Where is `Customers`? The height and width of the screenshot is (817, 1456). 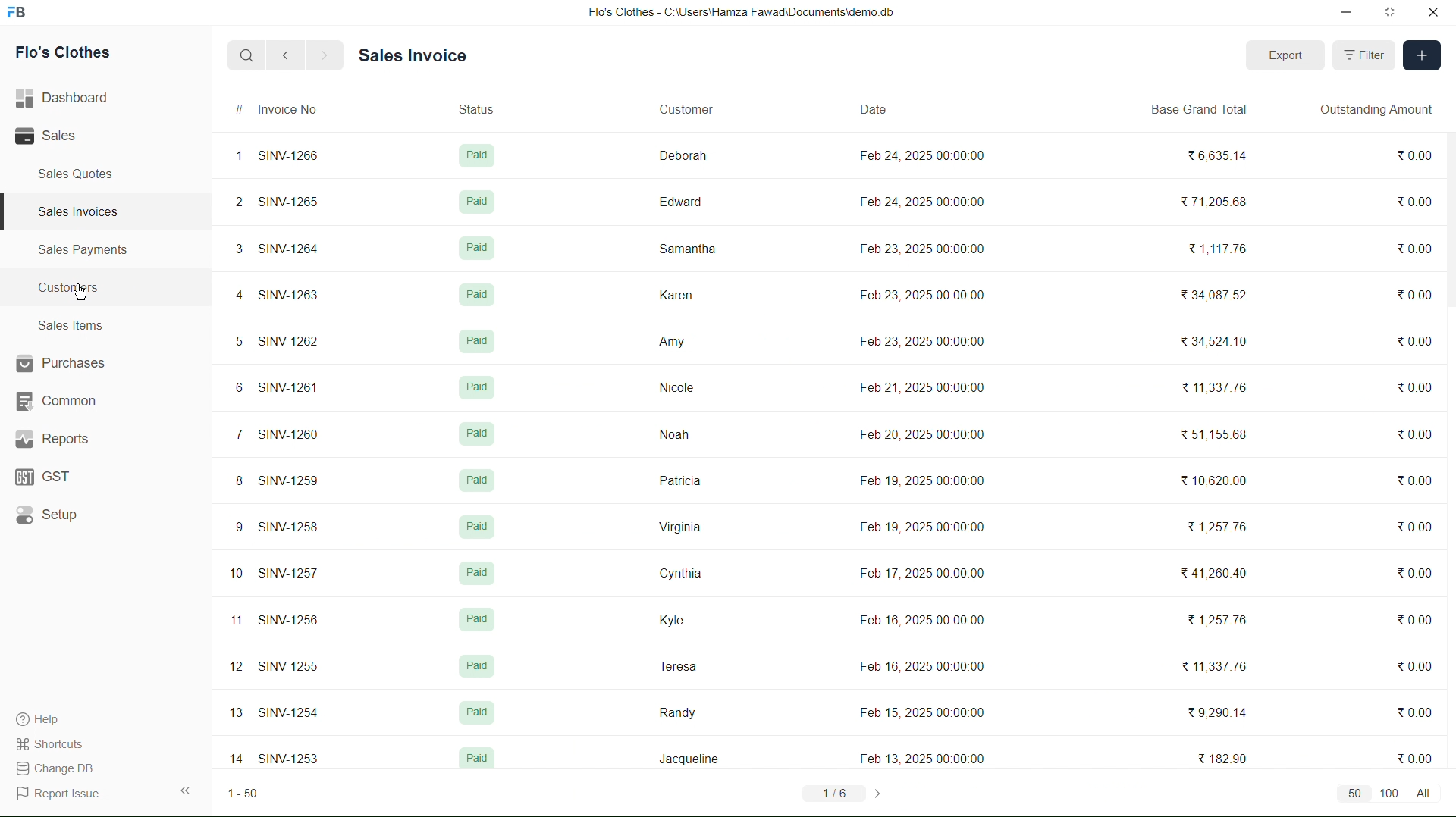
Customers is located at coordinates (74, 289).